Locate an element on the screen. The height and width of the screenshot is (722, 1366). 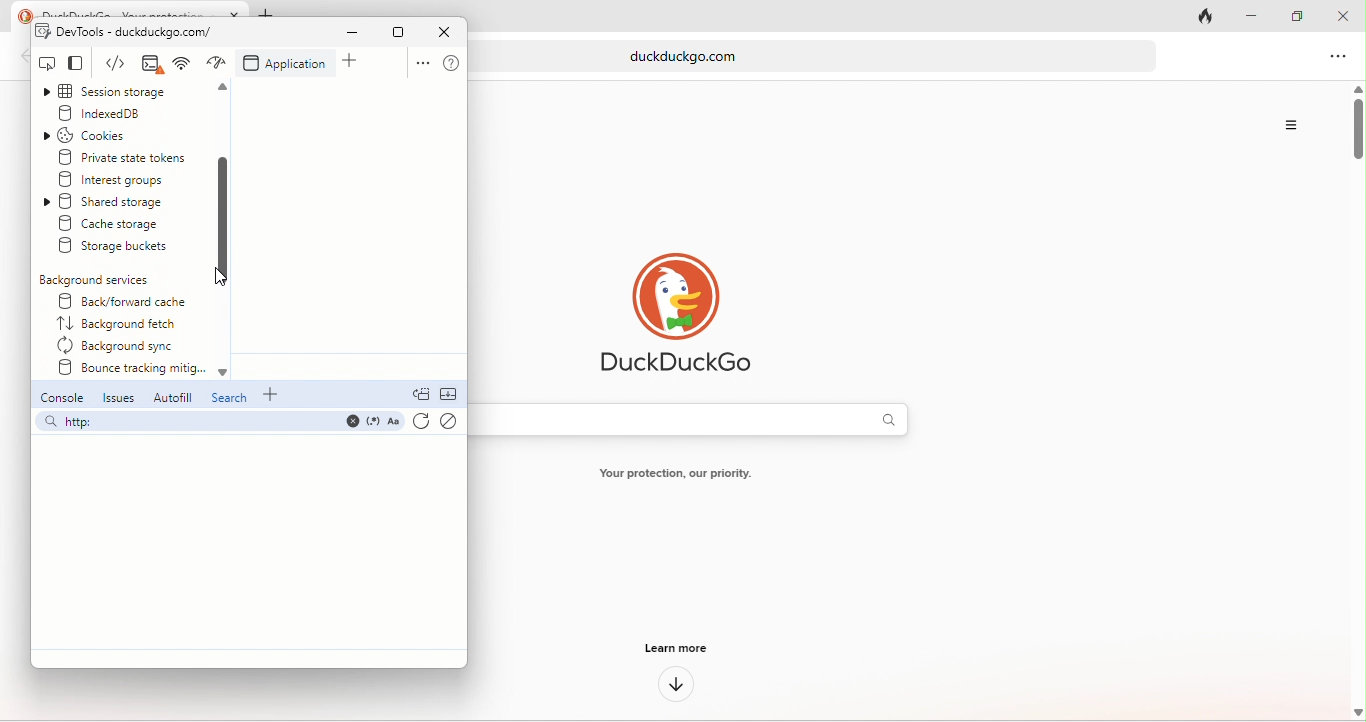
back/forward cache is located at coordinates (117, 301).